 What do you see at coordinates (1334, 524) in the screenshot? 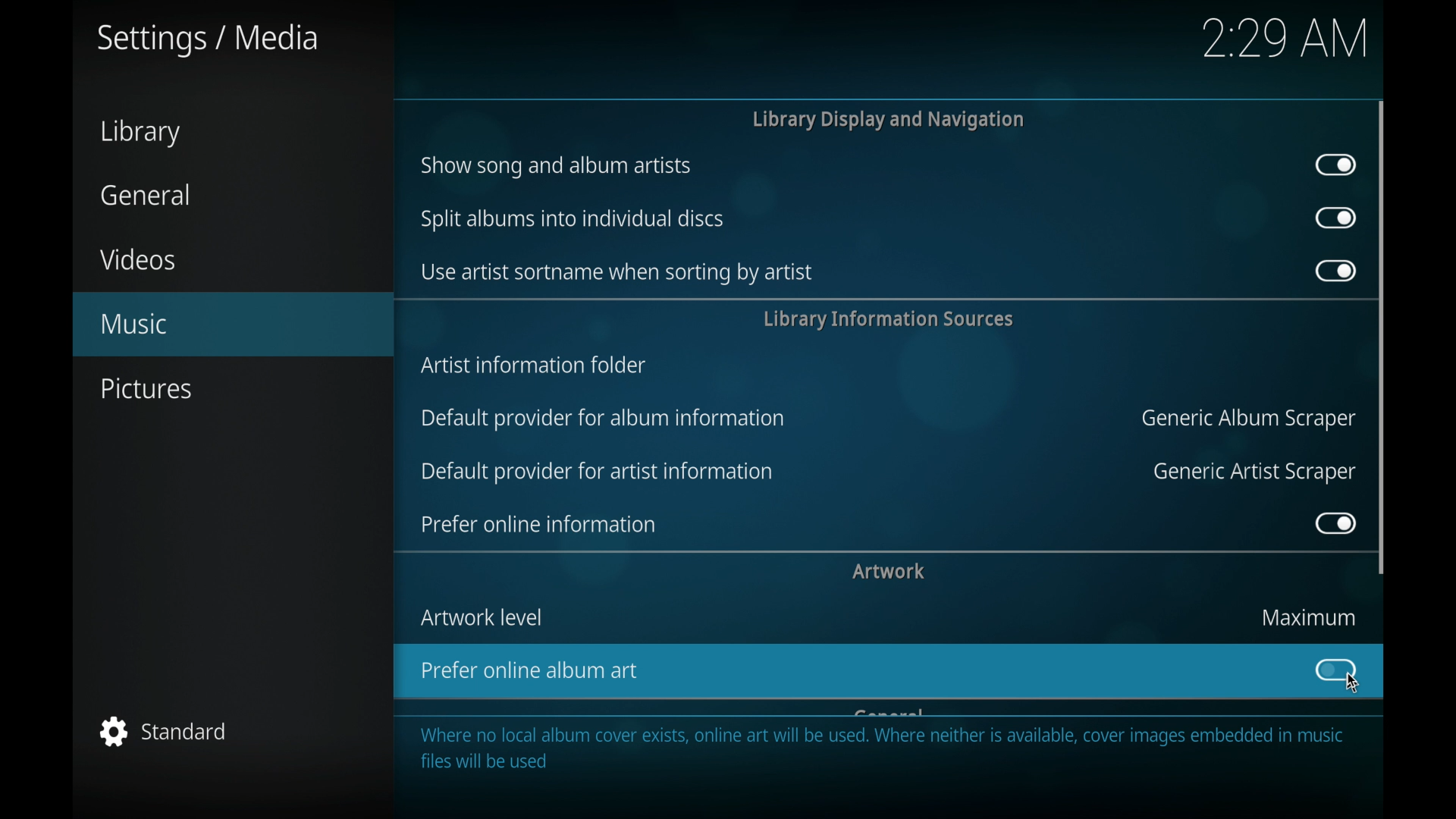
I see `toggle button` at bounding box center [1334, 524].